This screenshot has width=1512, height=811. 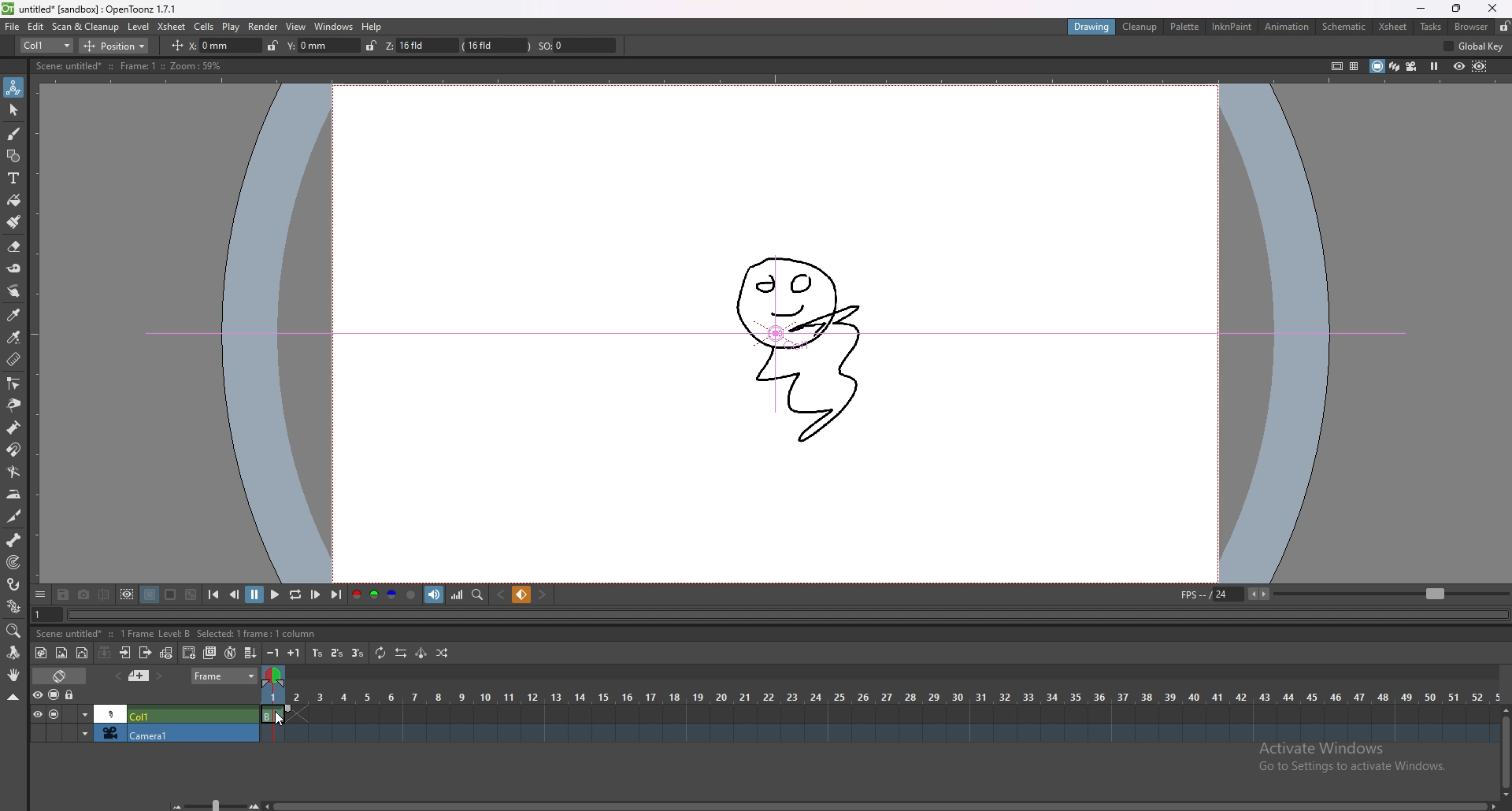 I want to click on ruler, so click(x=13, y=358).